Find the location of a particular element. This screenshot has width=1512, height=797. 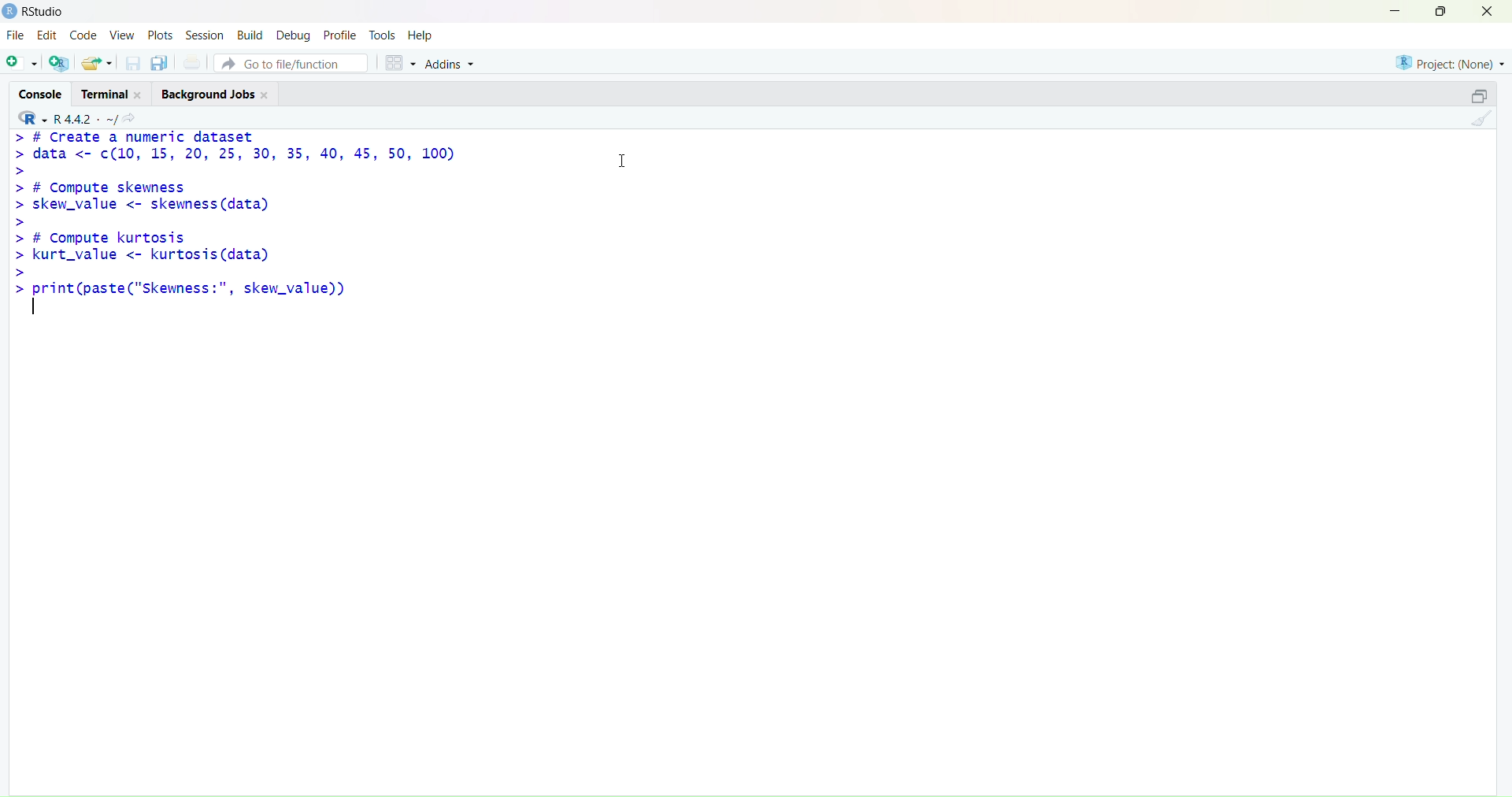

Go to file/function is located at coordinates (293, 62).